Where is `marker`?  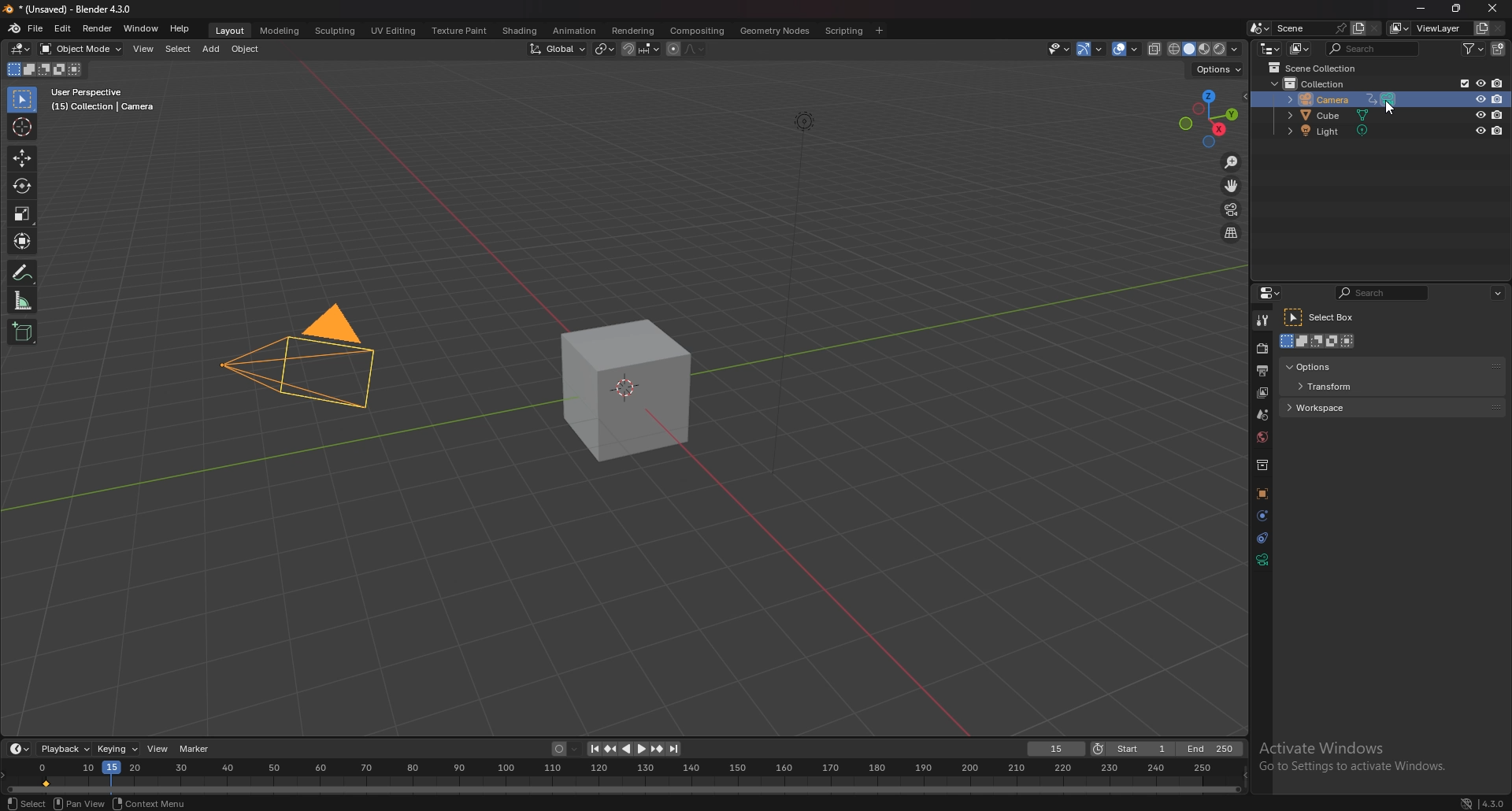 marker is located at coordinates (196, 749).